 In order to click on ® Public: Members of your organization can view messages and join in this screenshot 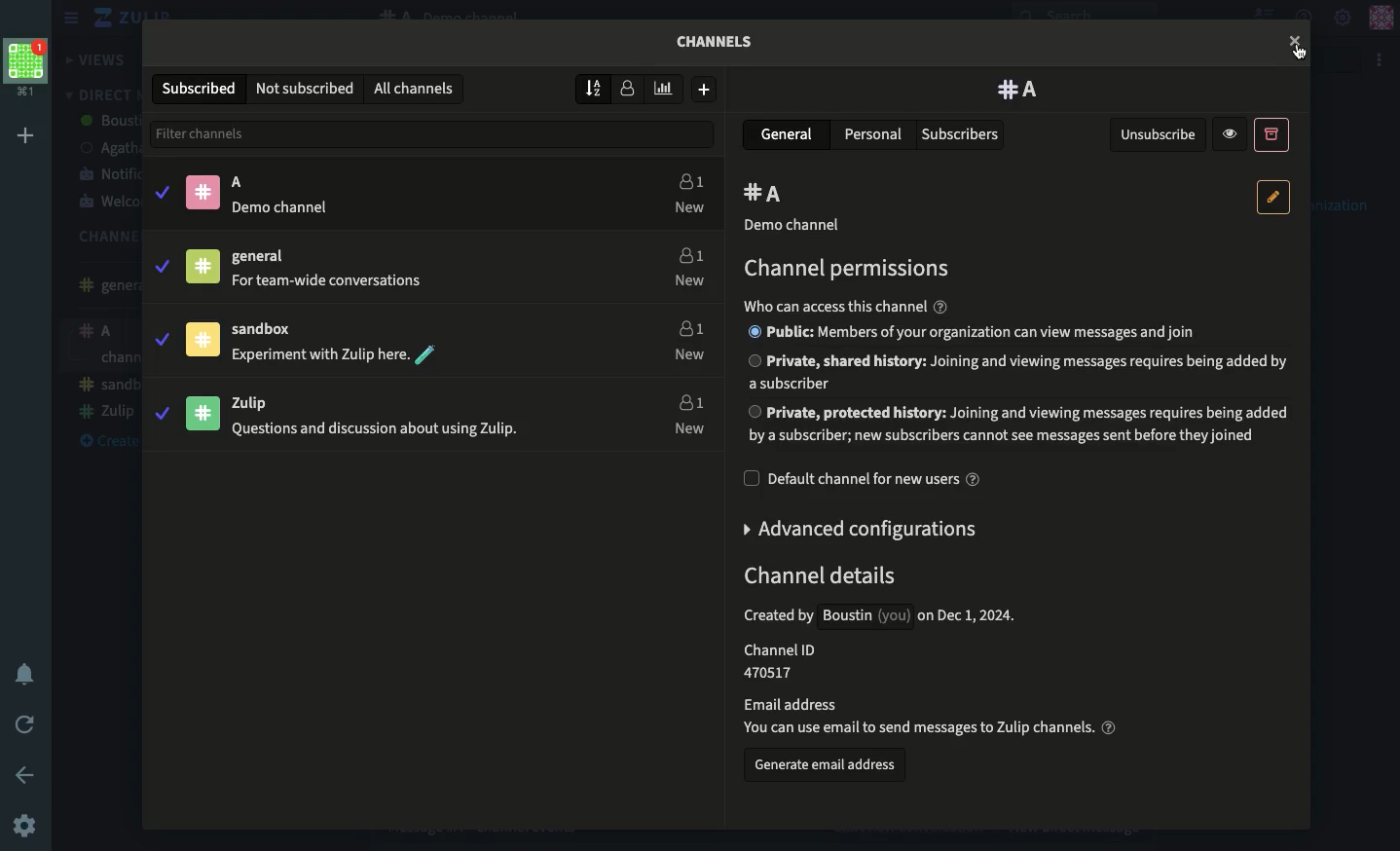, I will do `click(972, 332)`.